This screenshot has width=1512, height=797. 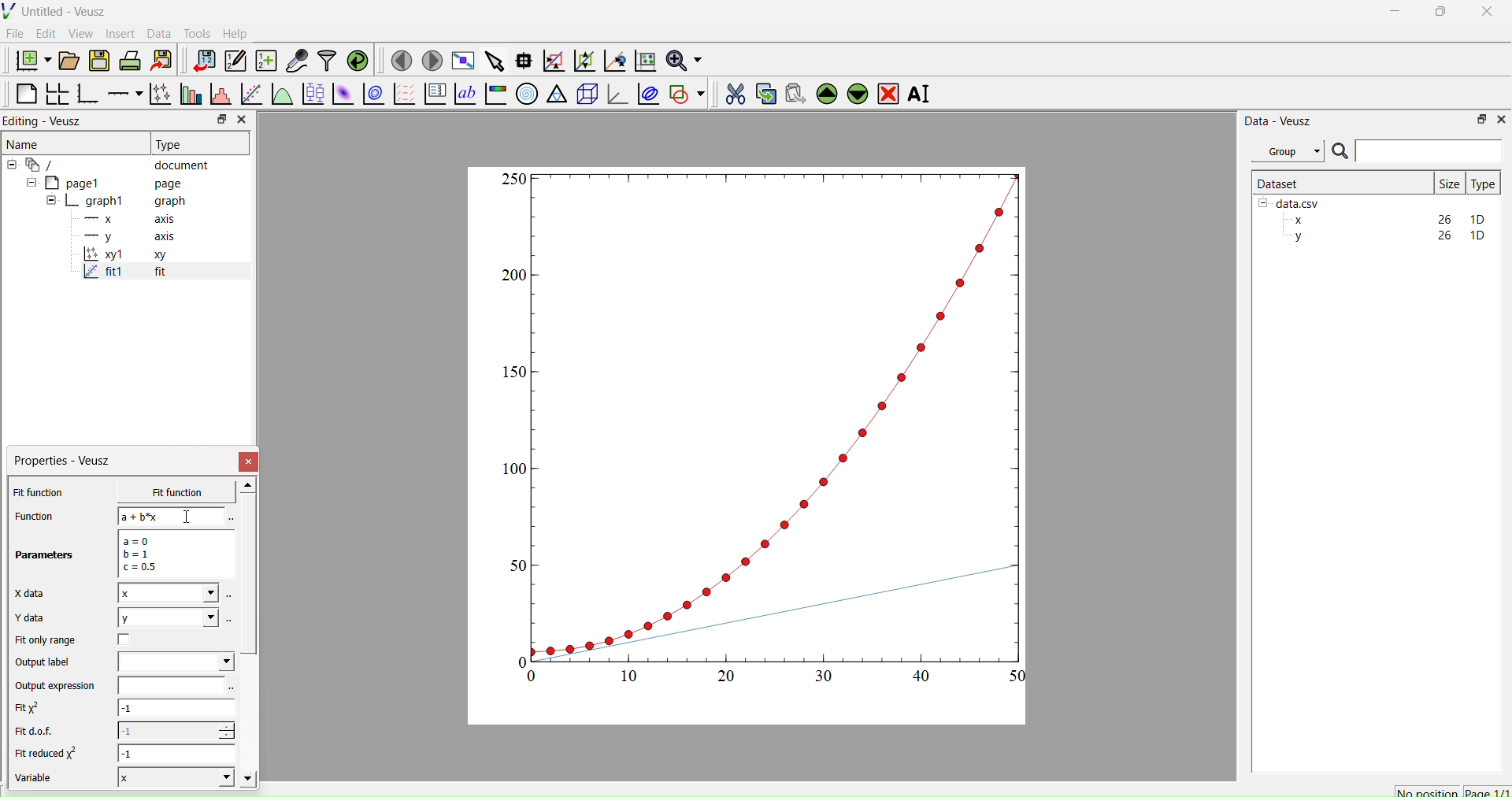 I want to click on Histogram of a dataset, so click(x=217, y=96).